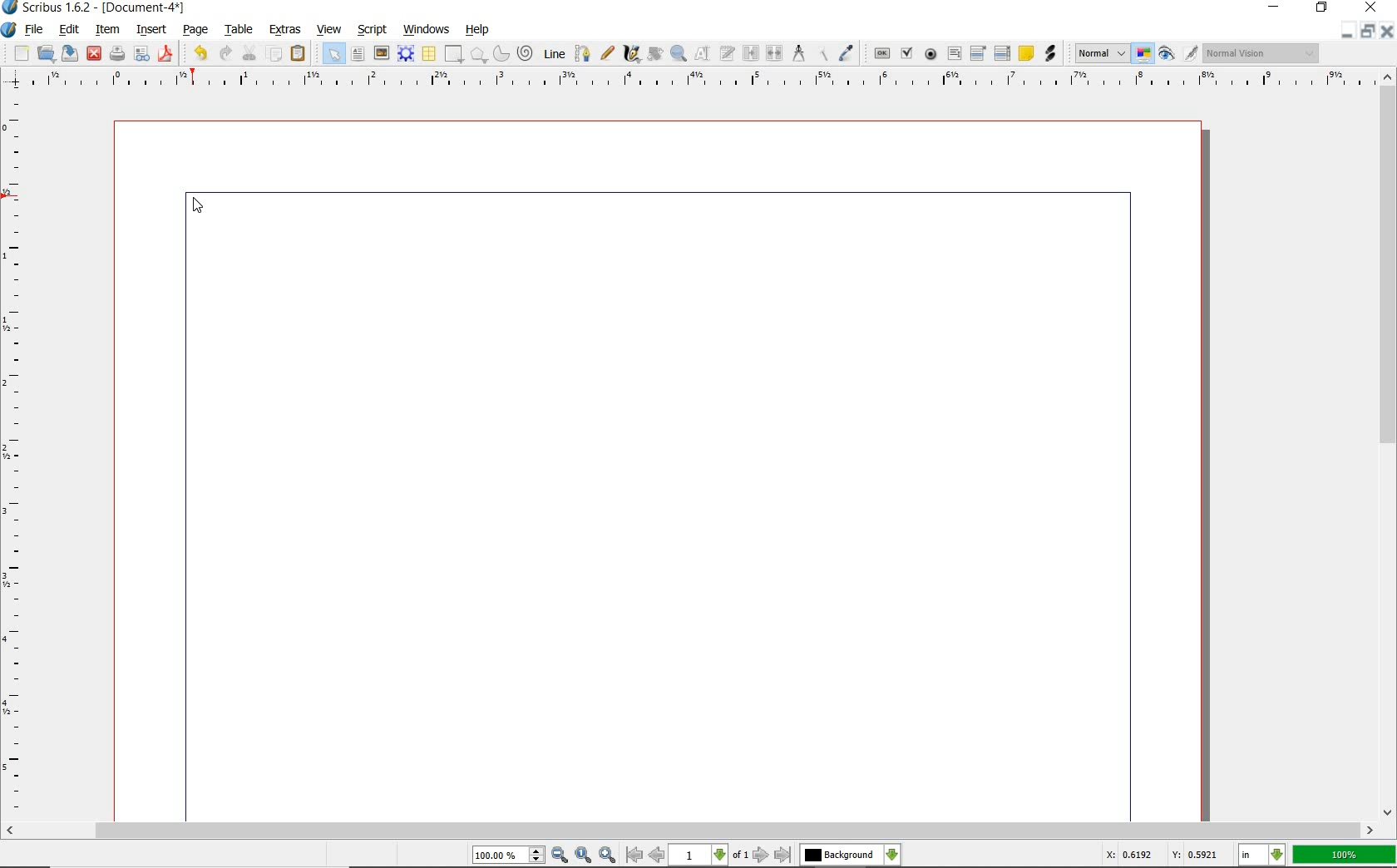 Image resolution: width=1397 pixels, height=868 pixels. Describe the element at coordinates (726, 54) in the screenshot. I see `edit text with story editor` at that location.